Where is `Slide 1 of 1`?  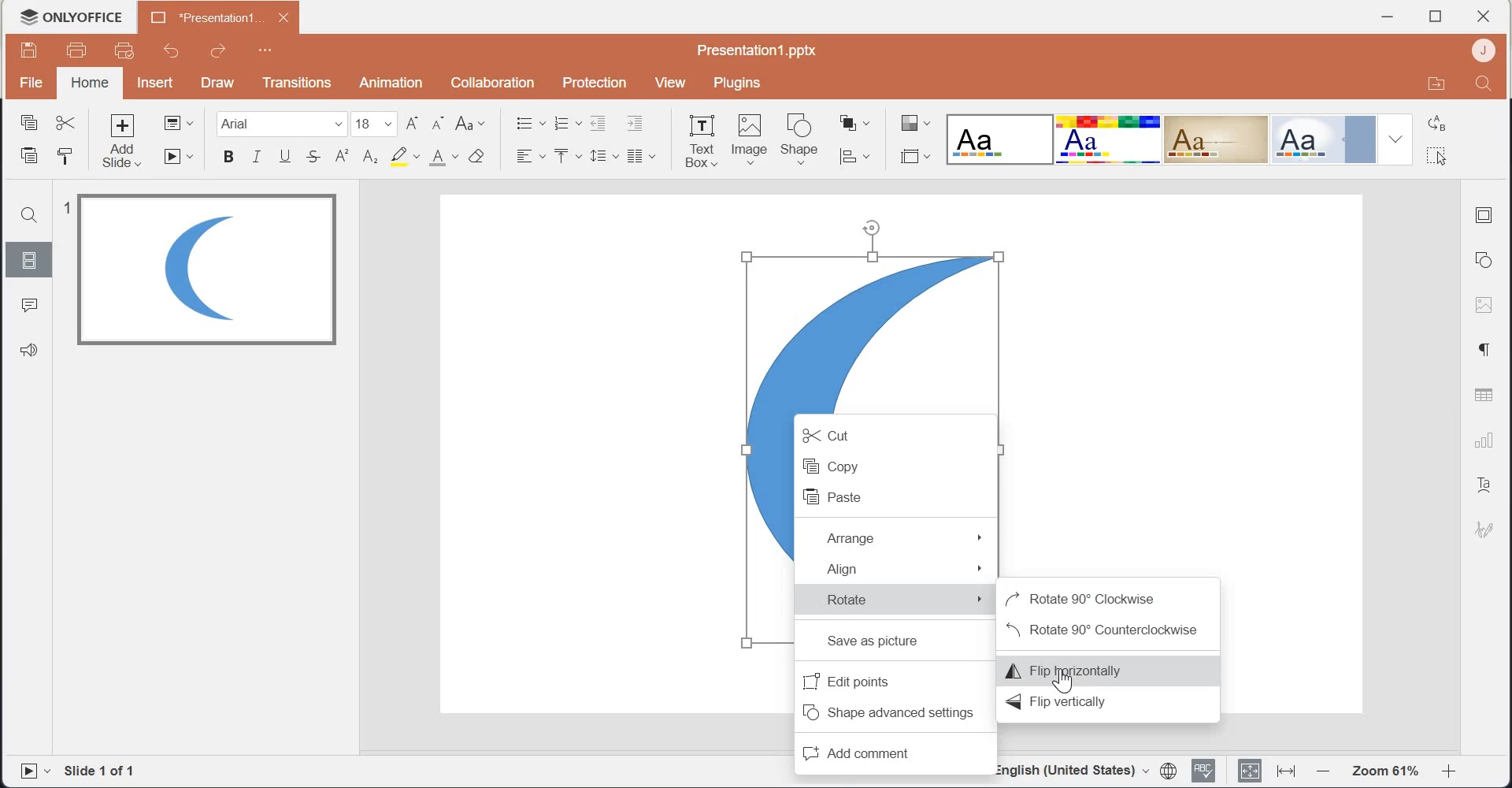
Slide 1 of 1 is located at coordinates (105, 771).